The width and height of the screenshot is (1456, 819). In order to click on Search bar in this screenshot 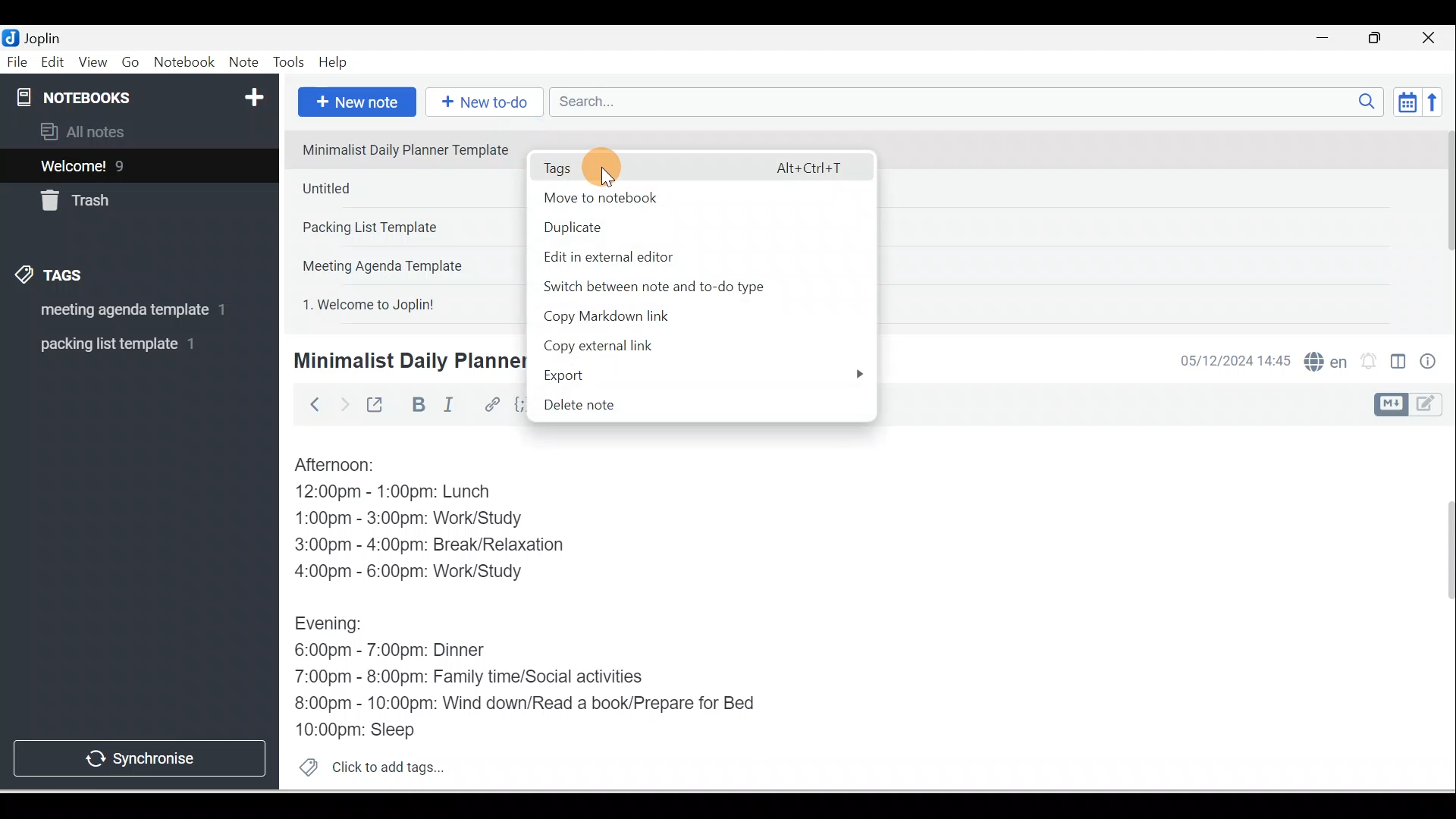, I will do `click(971, 96)`.